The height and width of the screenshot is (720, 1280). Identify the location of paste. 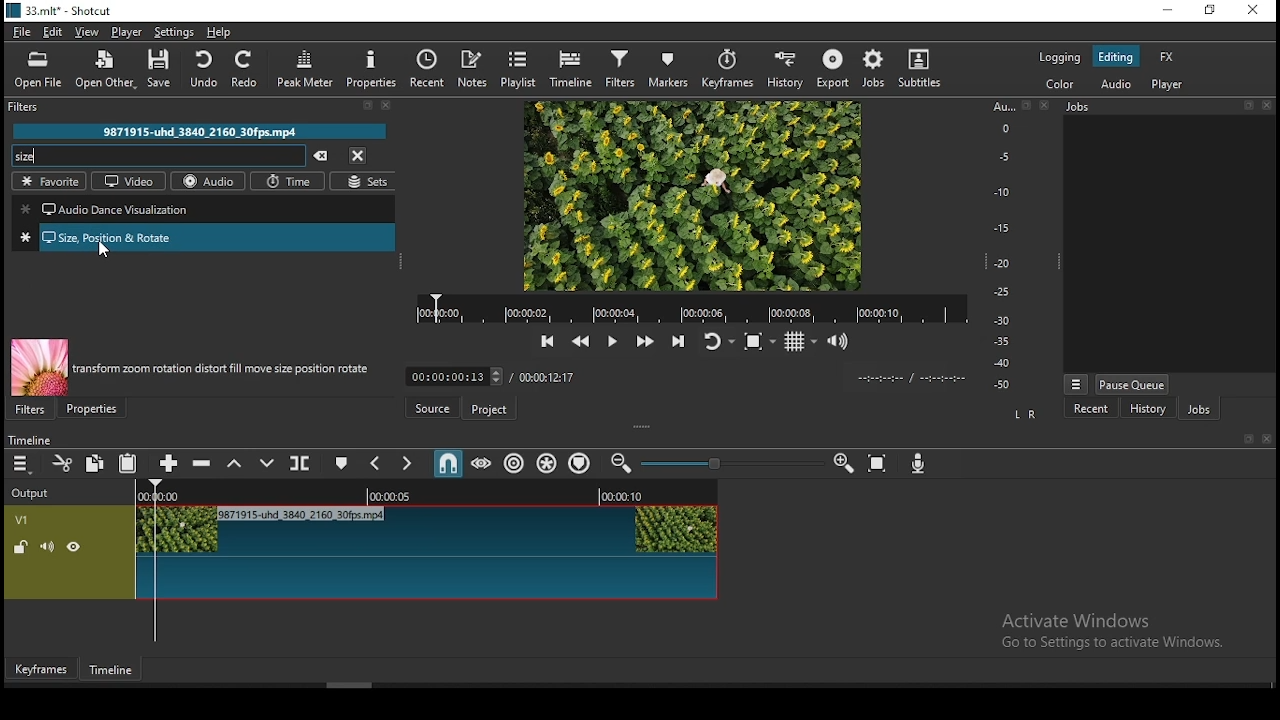
(127, 465).